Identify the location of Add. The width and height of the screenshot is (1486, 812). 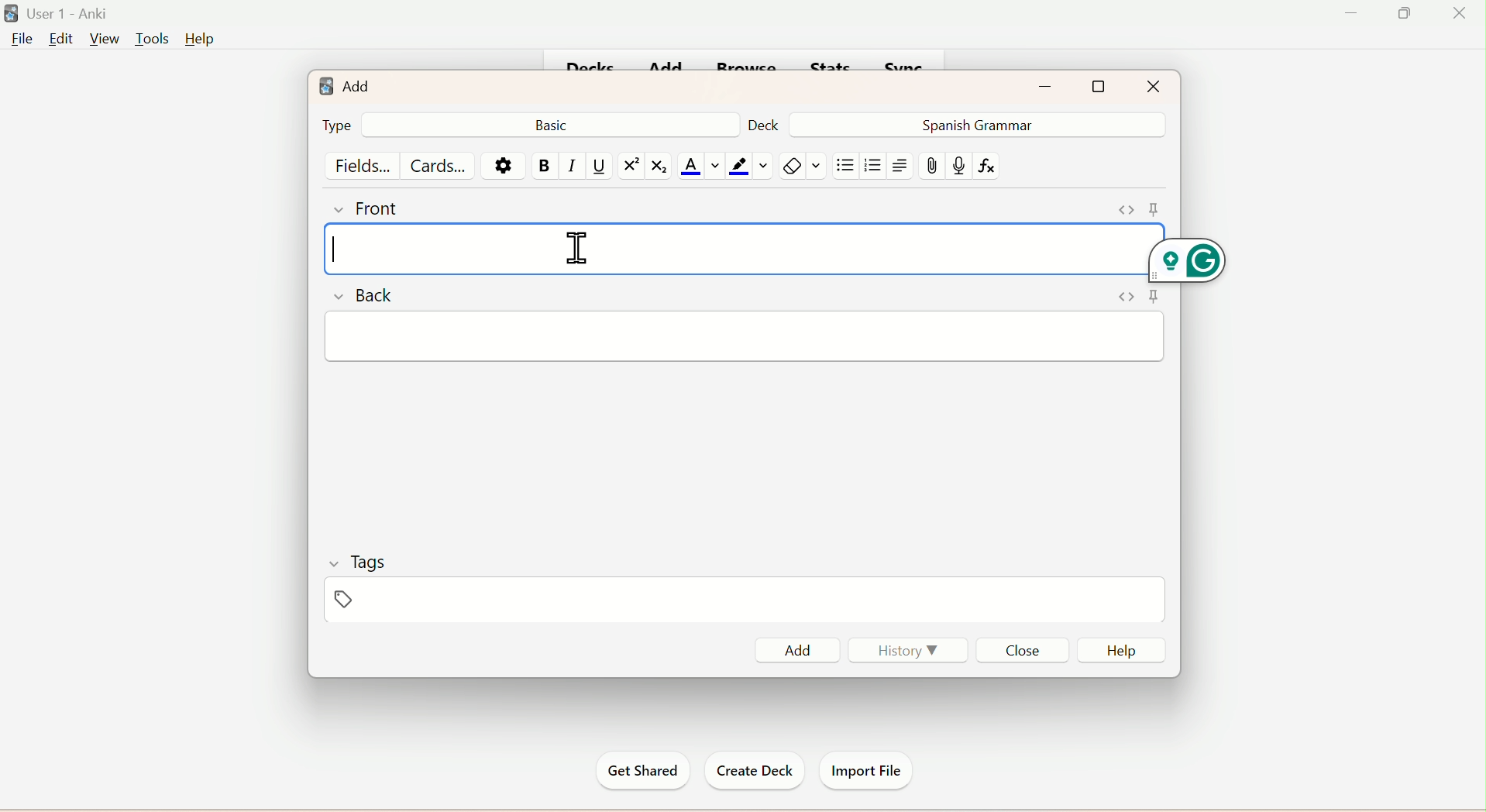
(344, 82).